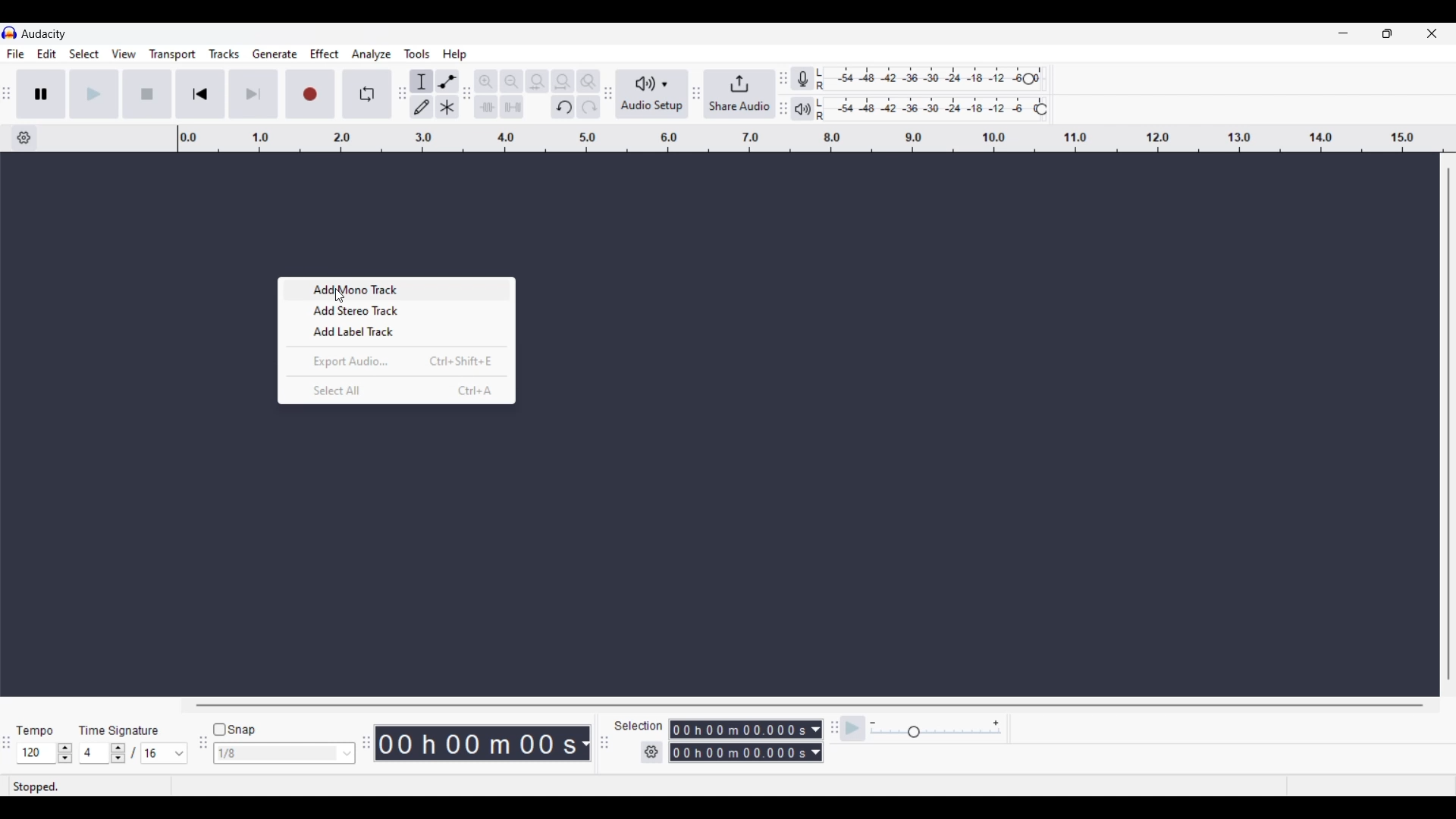 The height and width of the screenshot is (819, 1456). What do you see at coordinates (96, 754) in the screenshot?
I see `Selected time signature` at bounding box center [96, 754].